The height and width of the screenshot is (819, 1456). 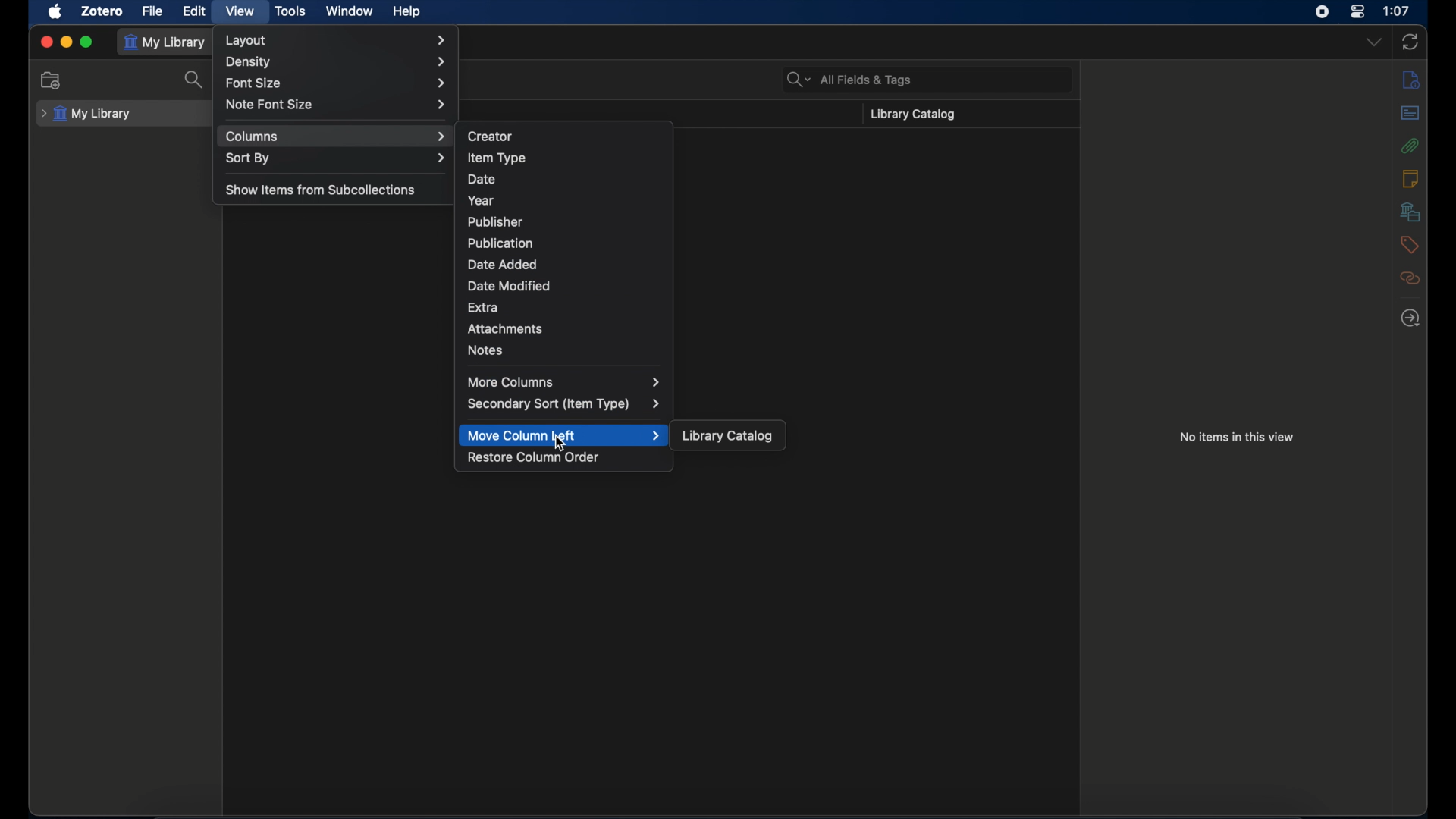 I want to click on date added, so click(x=502, y=264).